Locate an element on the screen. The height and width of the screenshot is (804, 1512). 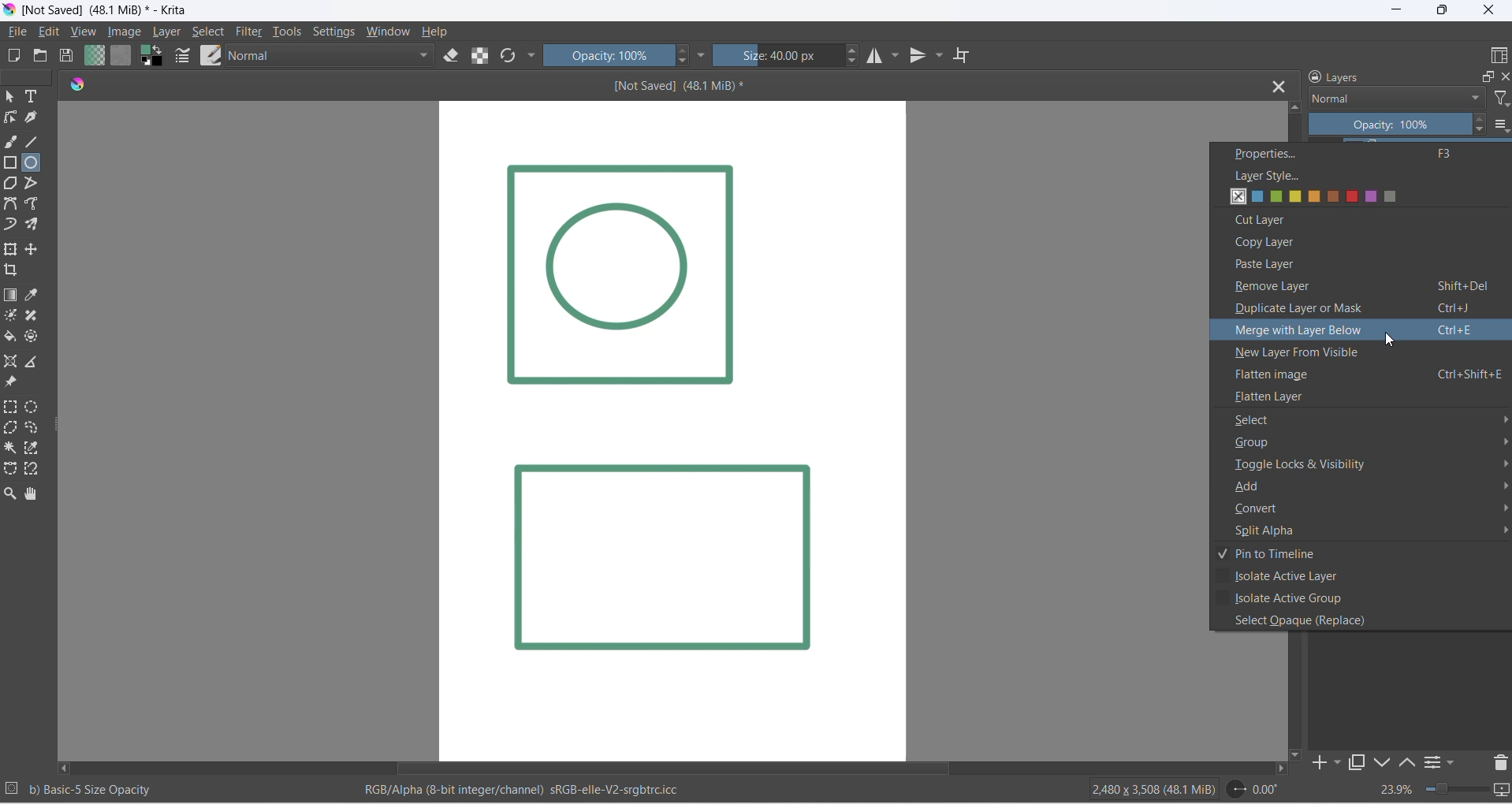
reference image tool is located at coordinates (13, 384).